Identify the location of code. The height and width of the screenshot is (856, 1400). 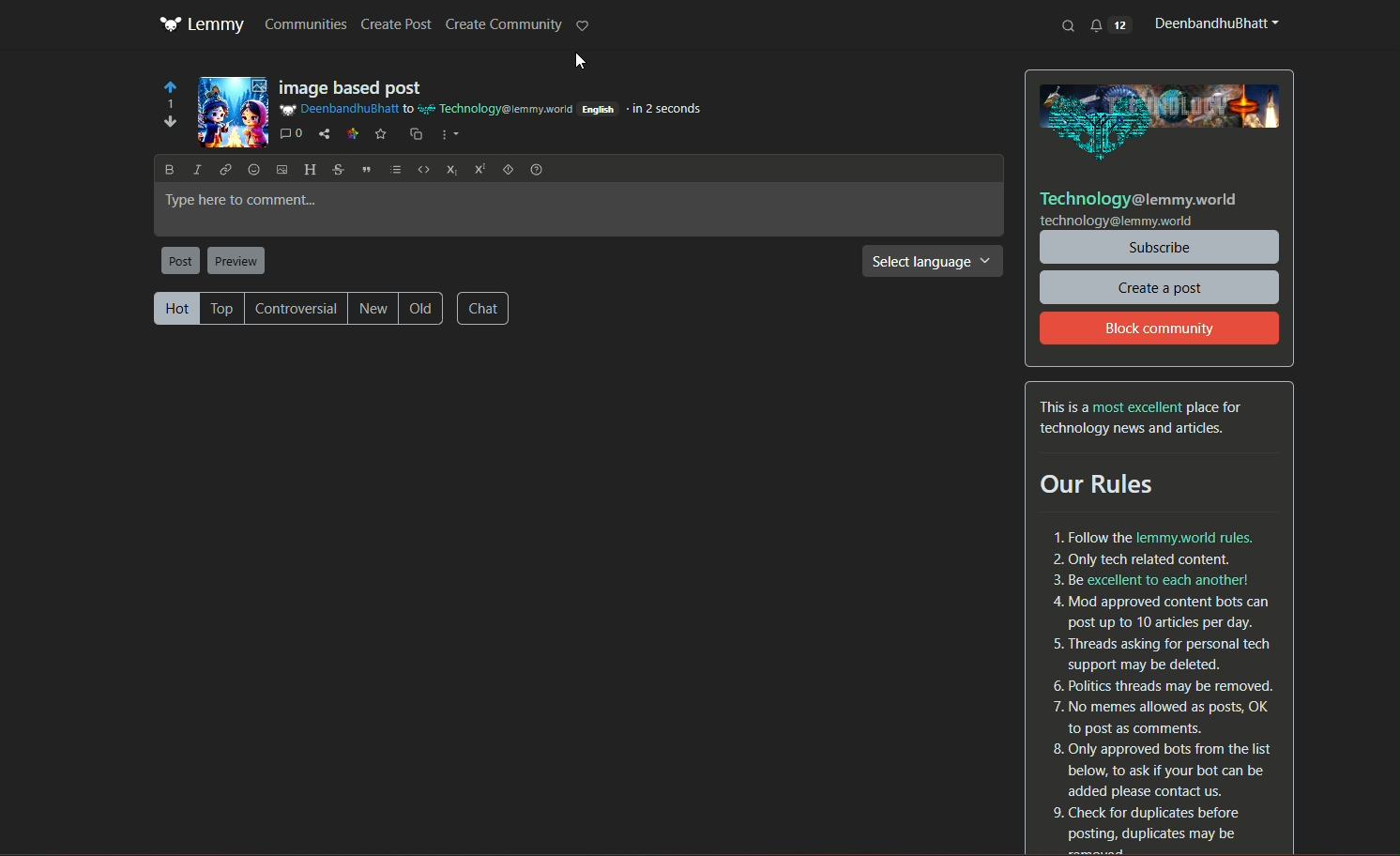
(420, 168).